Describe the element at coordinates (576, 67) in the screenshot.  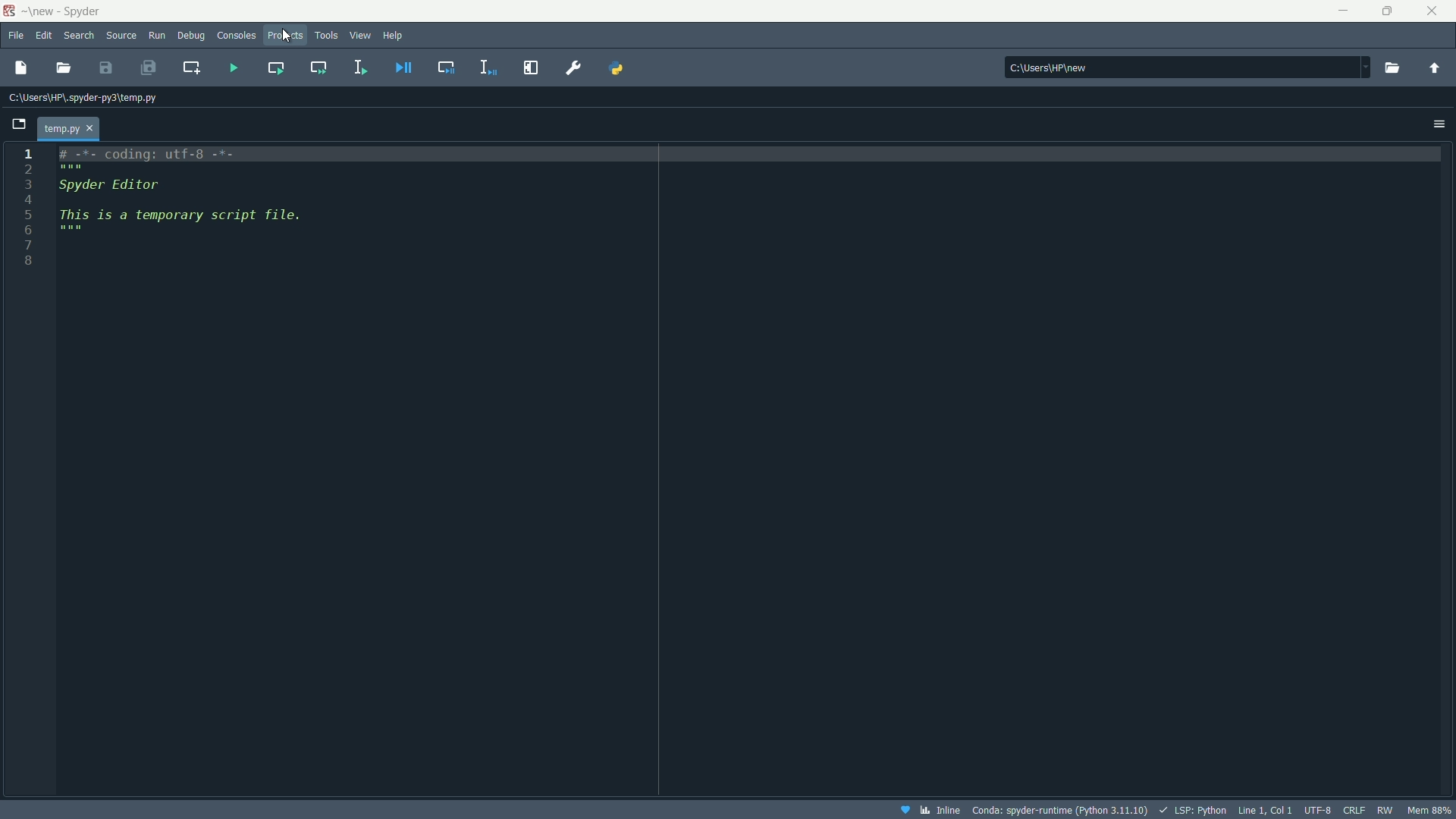
I see `preferences` at that location.